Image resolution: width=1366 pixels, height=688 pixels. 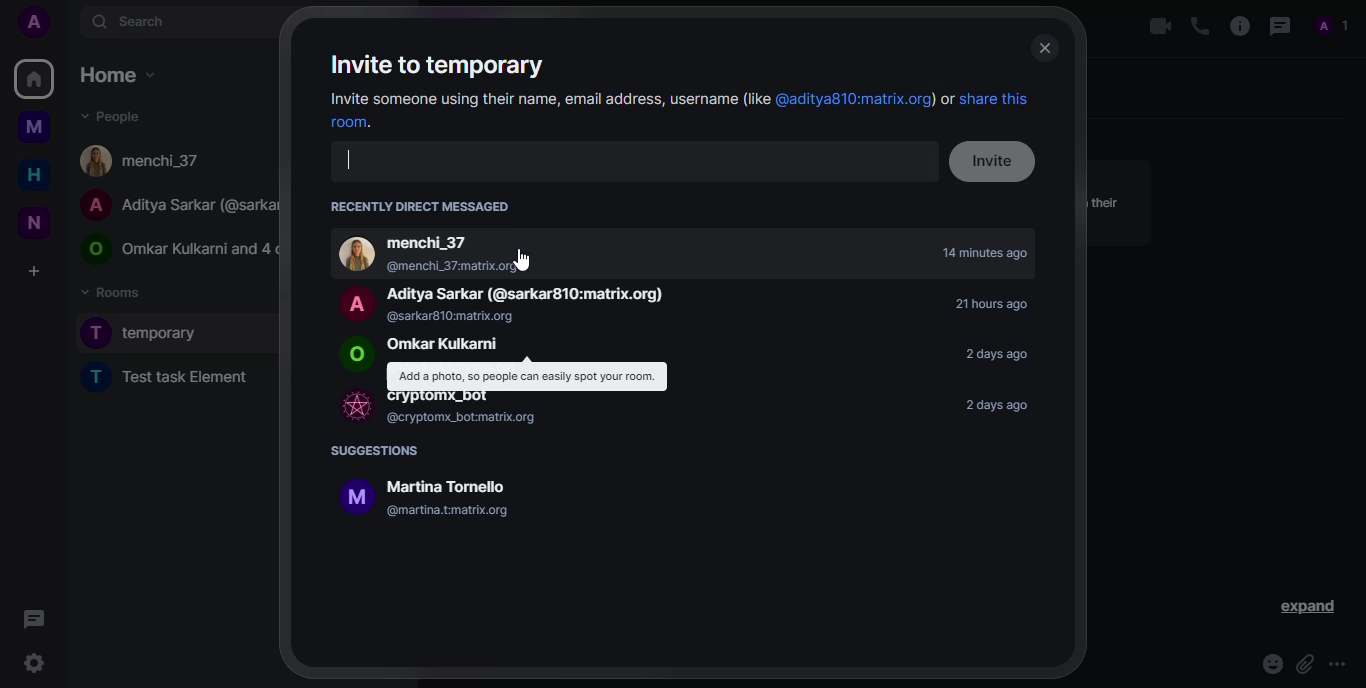 What do you see at coordinates (993, 353) in the screenshot?
I see `2days ago` at bounding box center [993, 353].